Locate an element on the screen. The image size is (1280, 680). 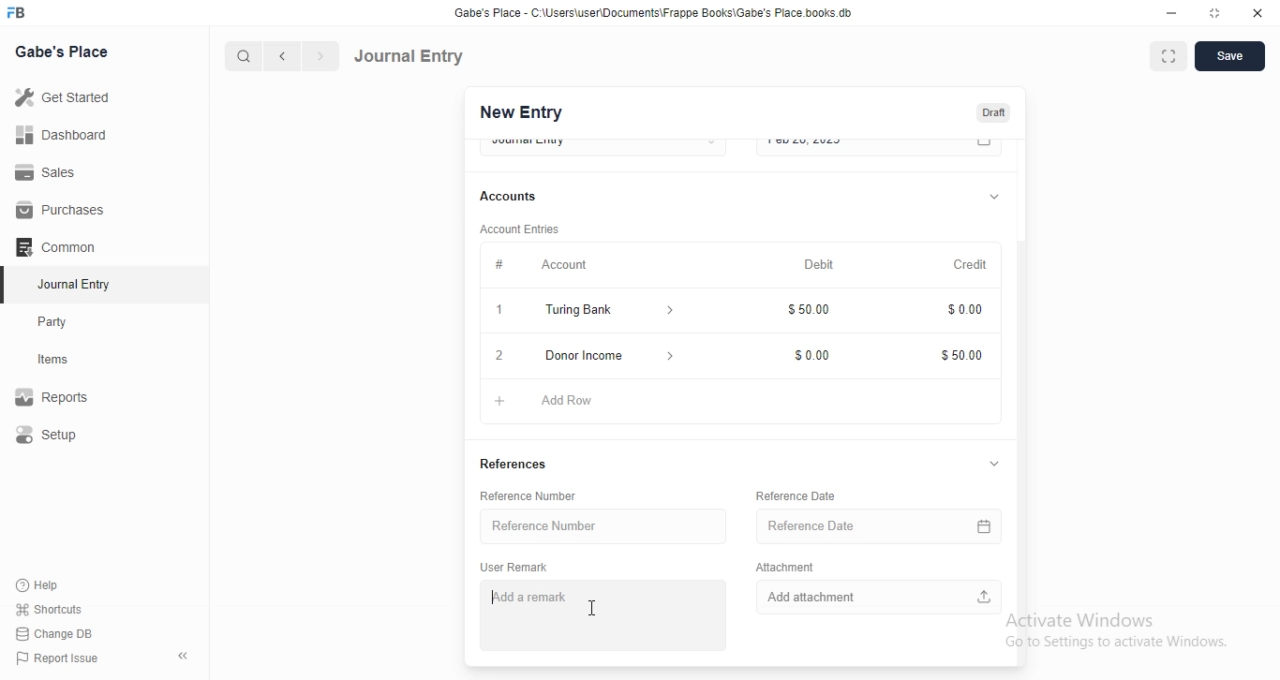
Dashboard is located at coordinates (66, 134).